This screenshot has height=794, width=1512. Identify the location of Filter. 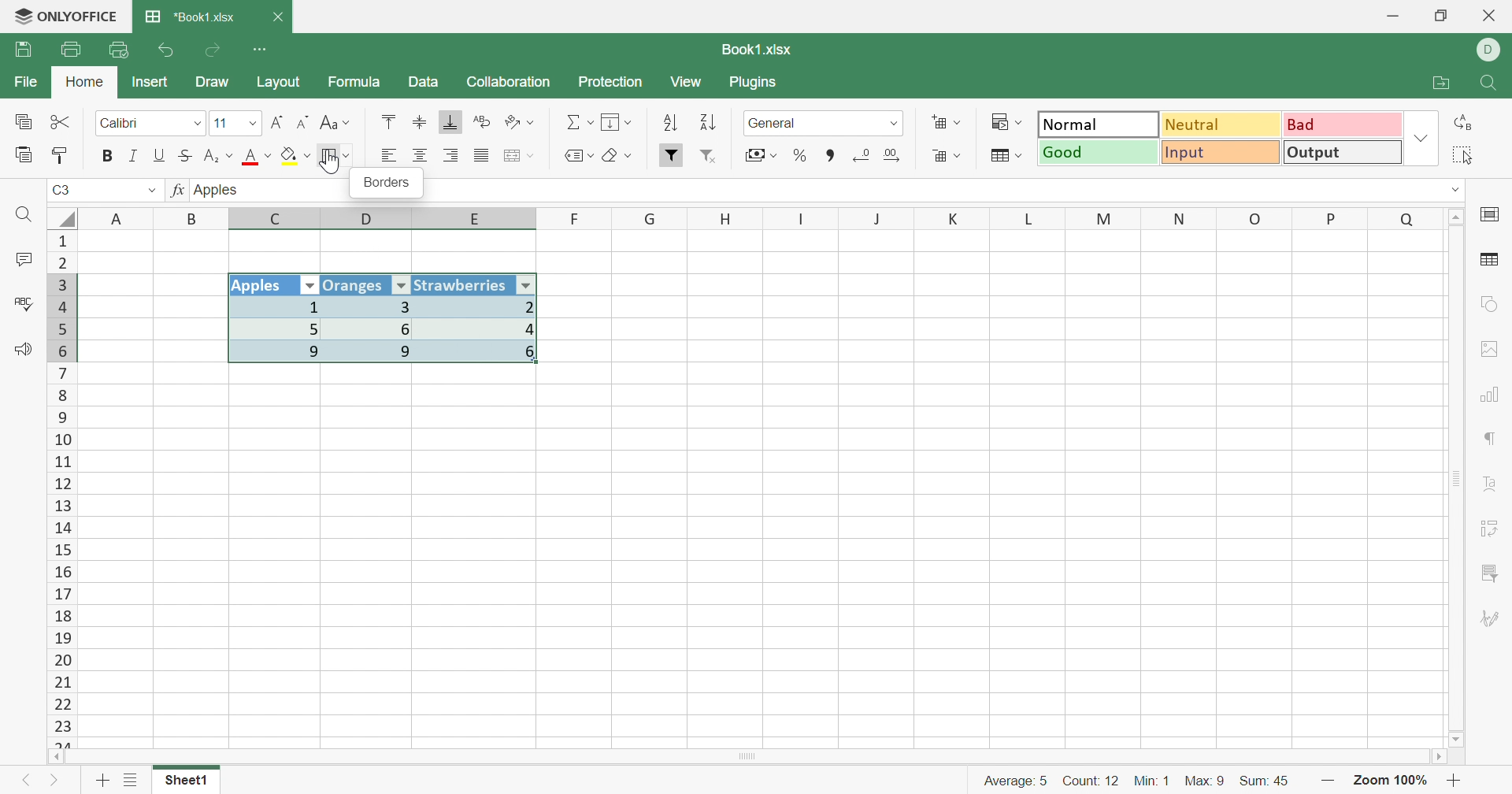
(672, 155).